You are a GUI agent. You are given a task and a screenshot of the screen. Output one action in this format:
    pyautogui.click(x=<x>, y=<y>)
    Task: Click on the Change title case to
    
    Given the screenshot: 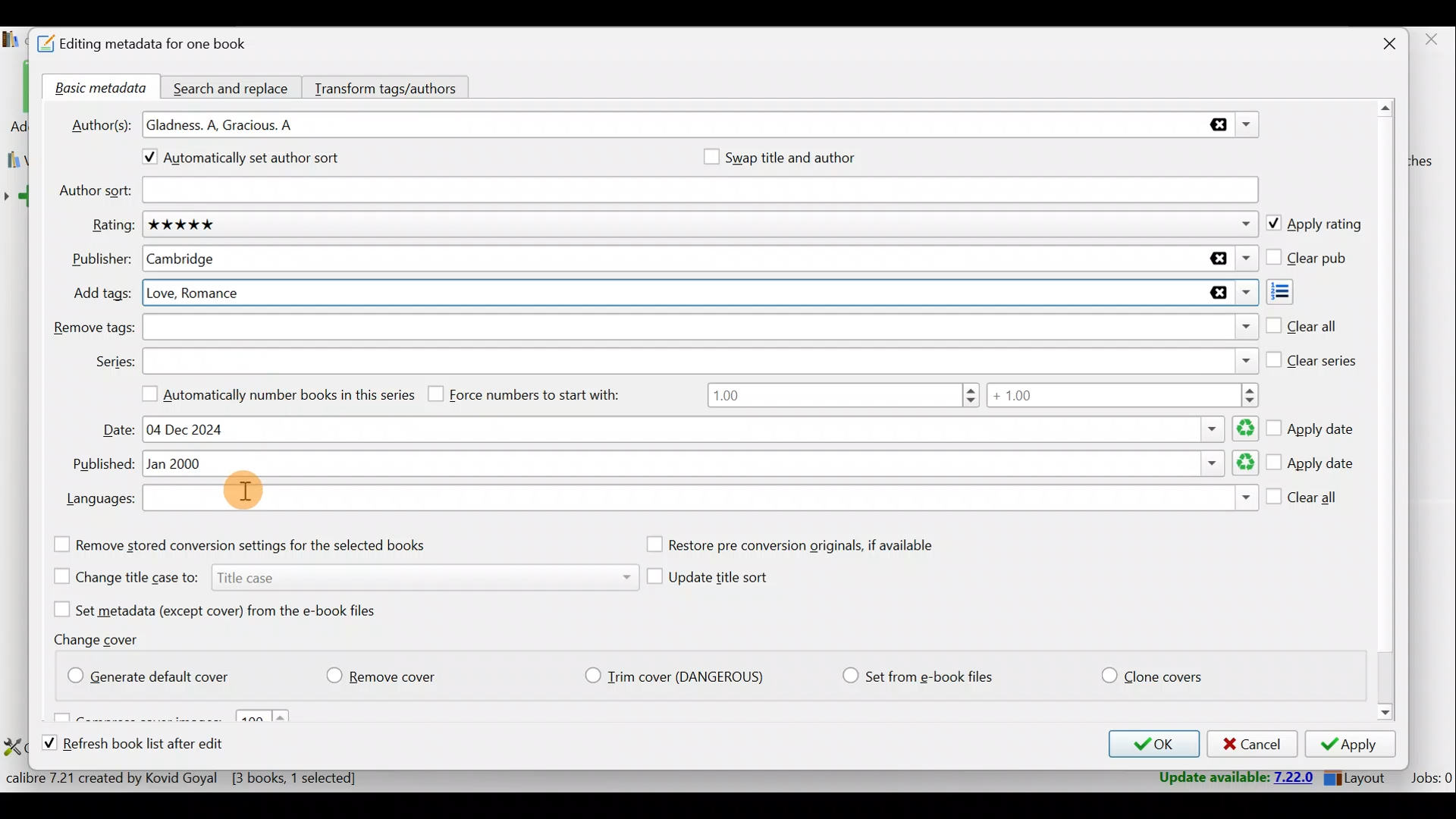 What is the action you would take?
    pyautogui.click(x=339, y=576)
    